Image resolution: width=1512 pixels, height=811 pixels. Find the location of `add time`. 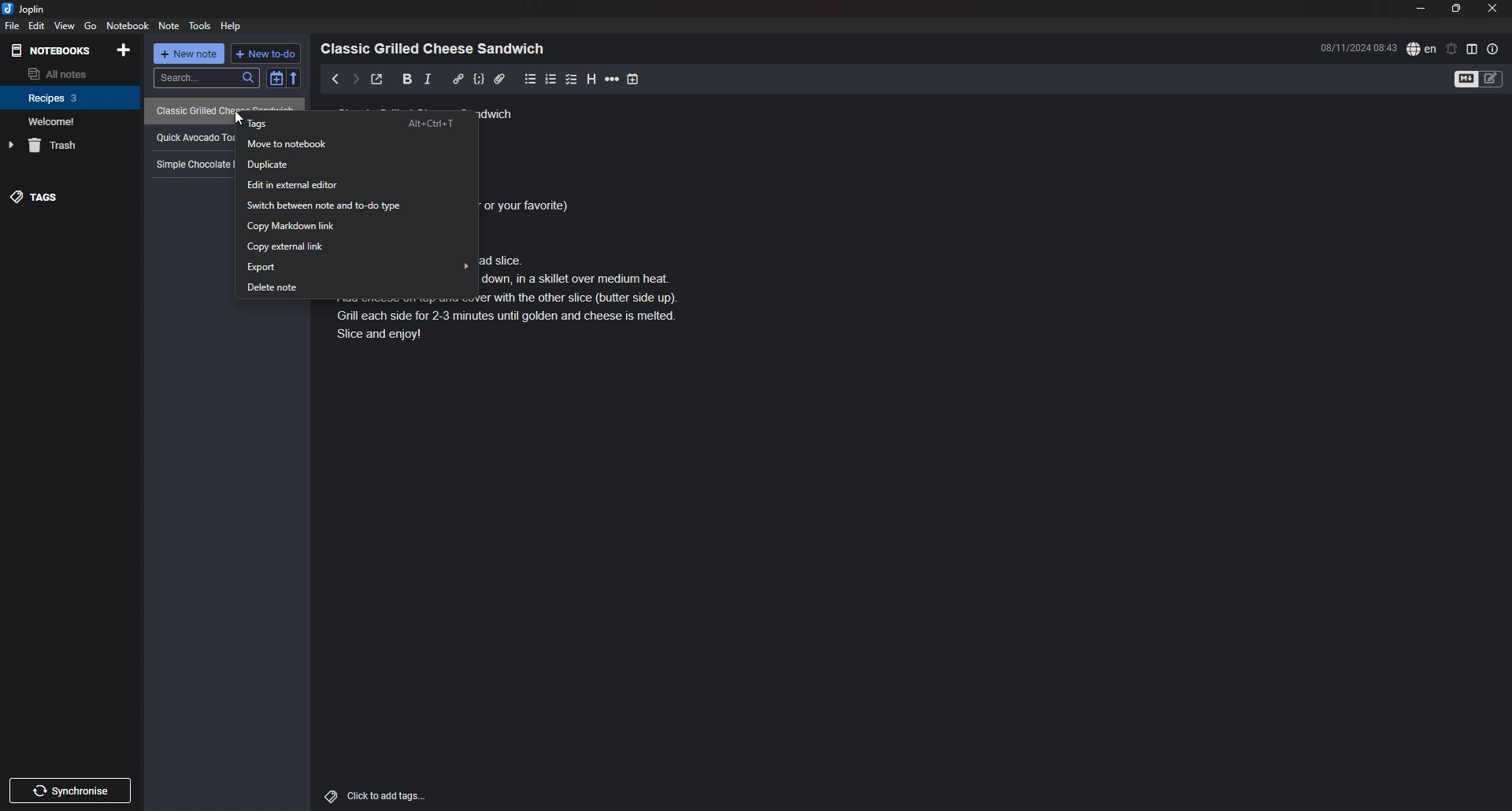

add time is located at coordinates (635, 79).